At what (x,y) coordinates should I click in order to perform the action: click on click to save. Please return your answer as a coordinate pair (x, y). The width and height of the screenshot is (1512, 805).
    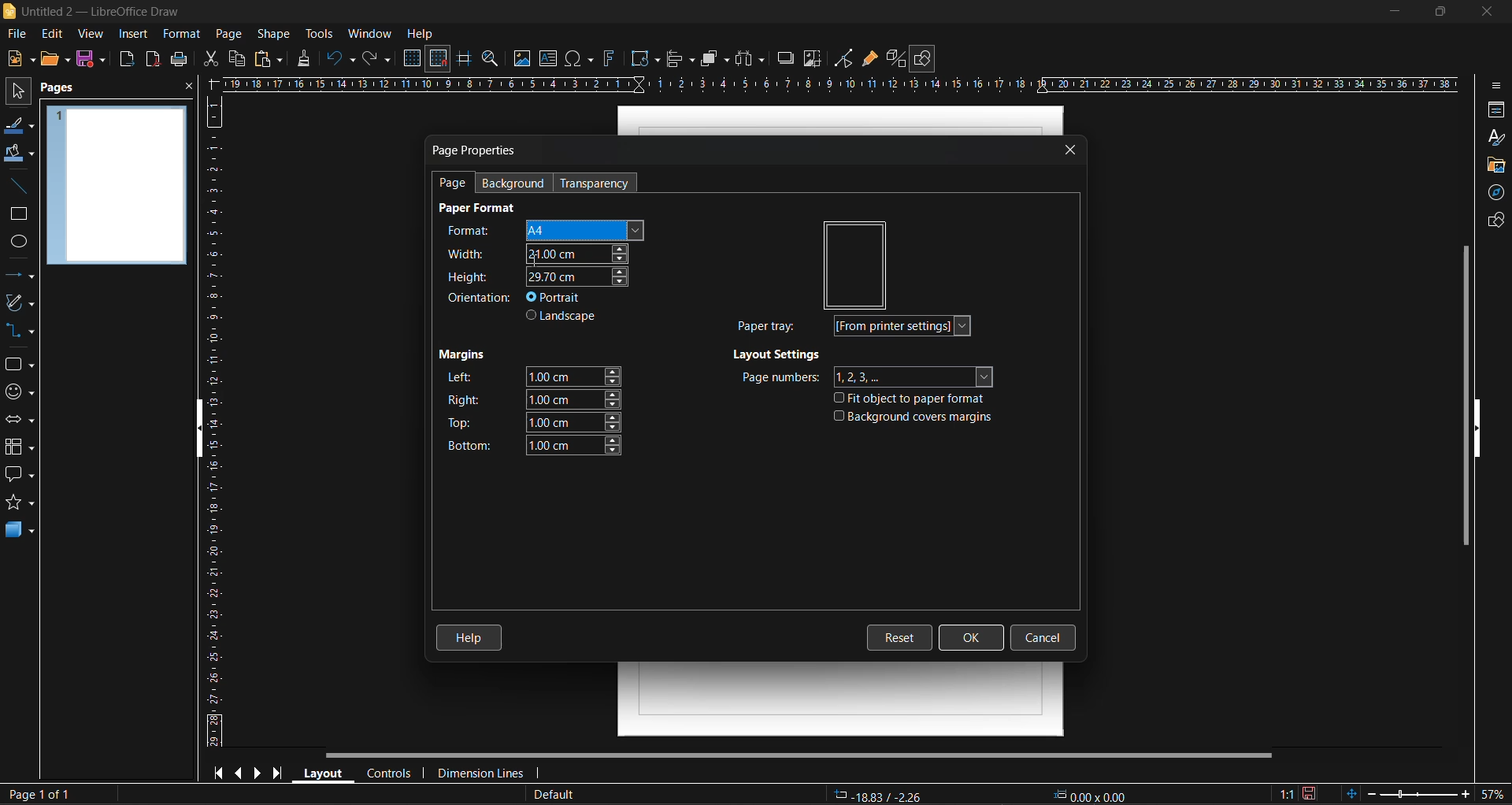
    Looking at the image, I should click on (1309, 793).